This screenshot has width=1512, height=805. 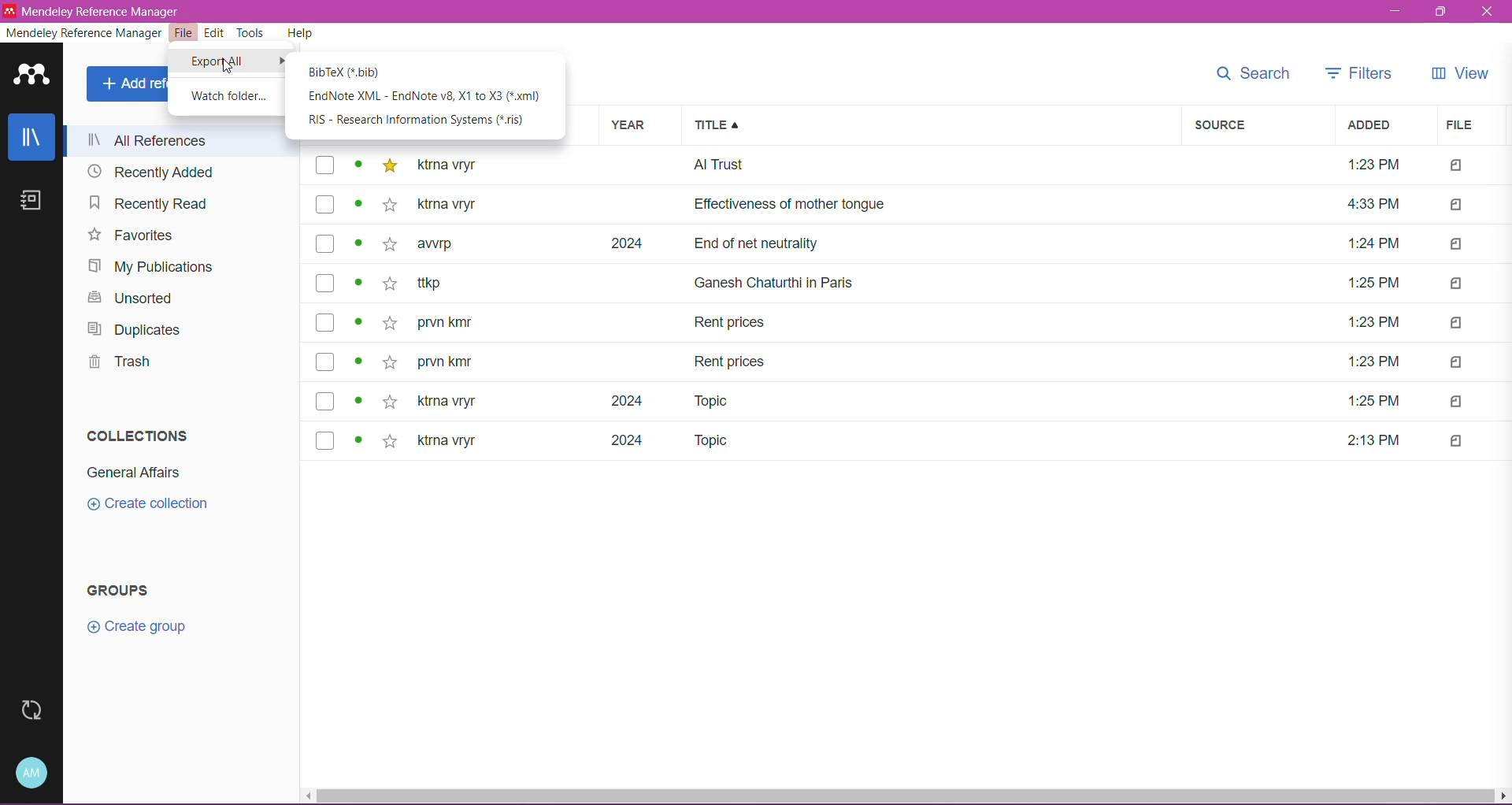 I want to click on Files Attached, so click(x=1471, y=302).